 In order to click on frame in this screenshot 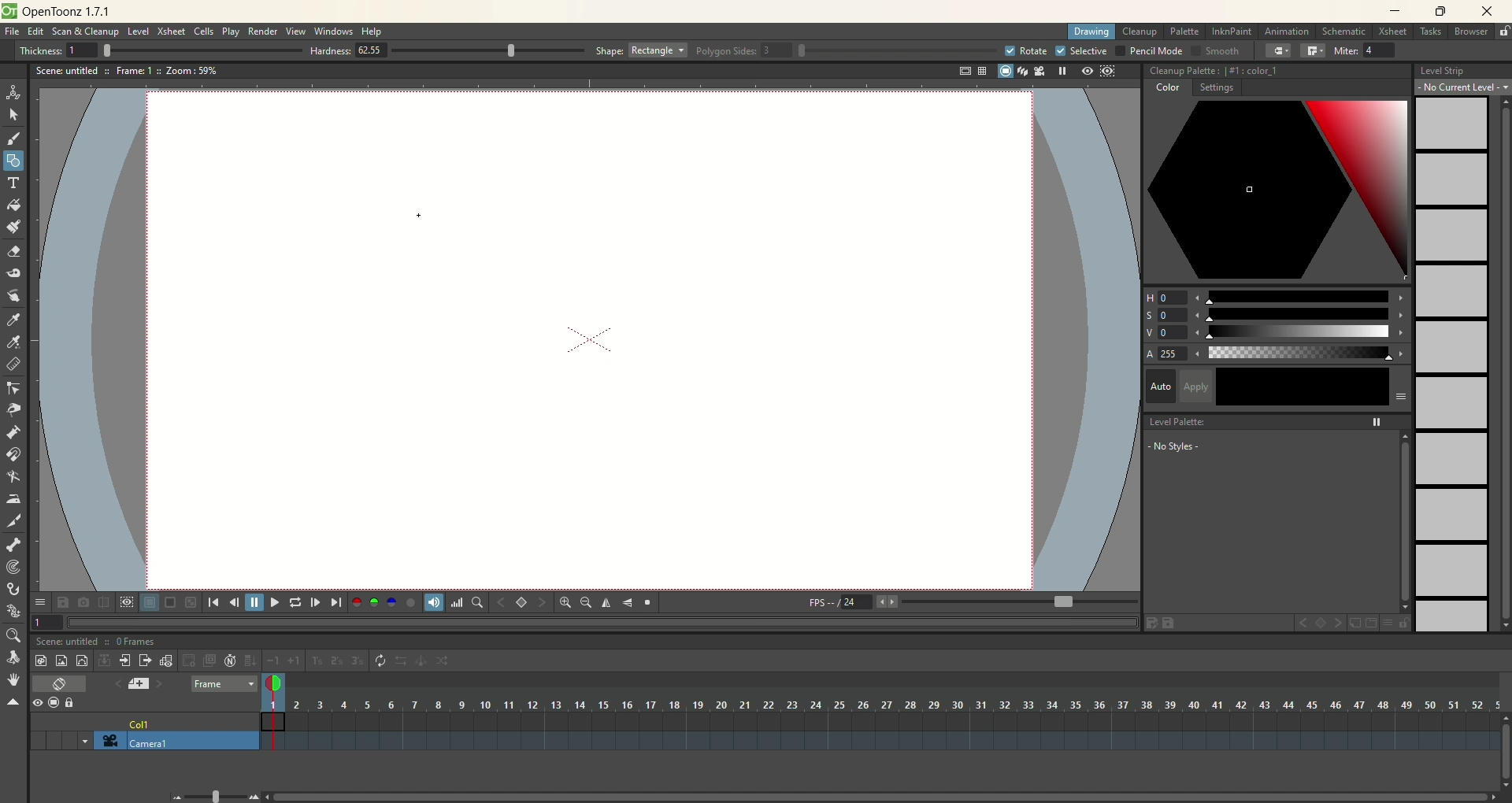, I will do `click(224, 685)`.